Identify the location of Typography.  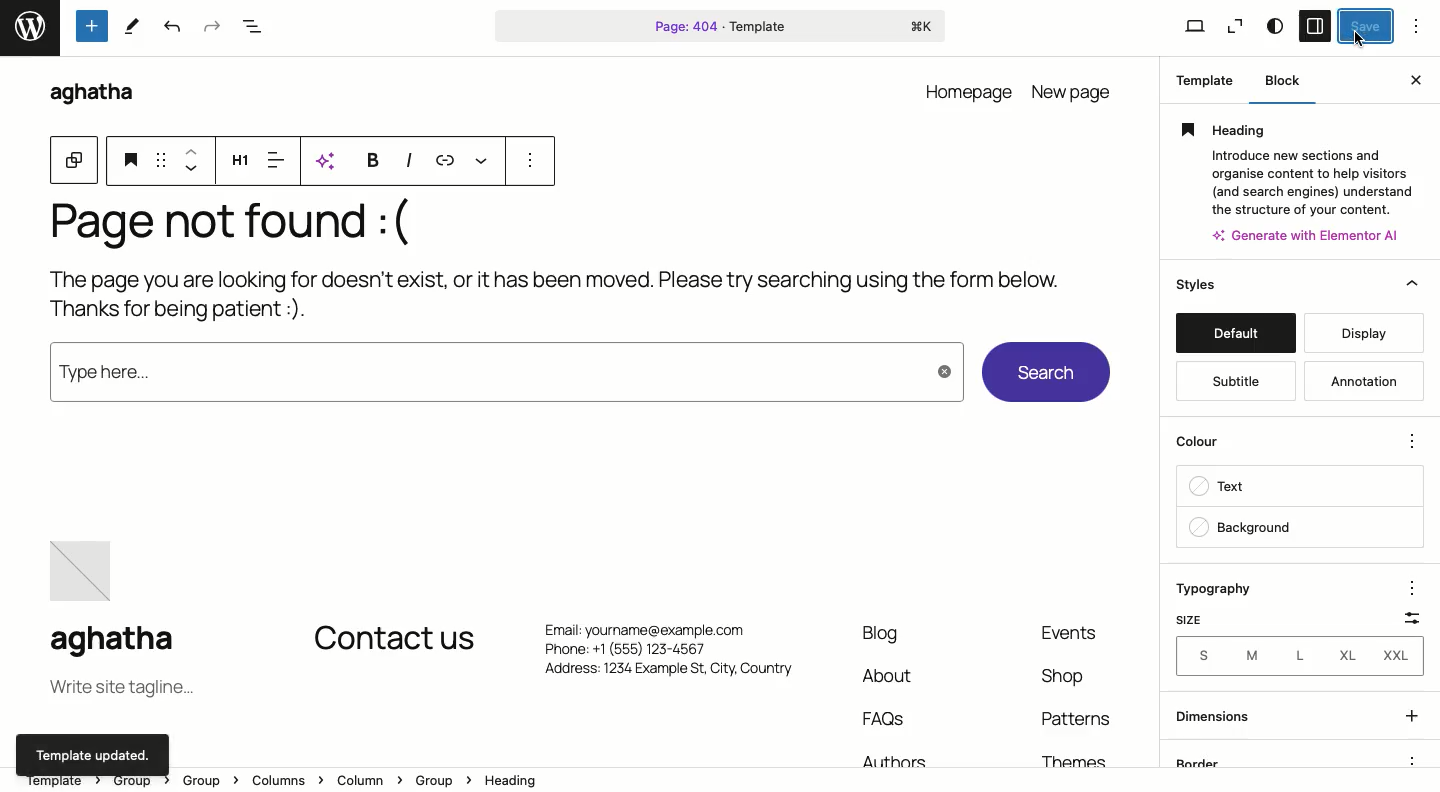
(1217, 587).